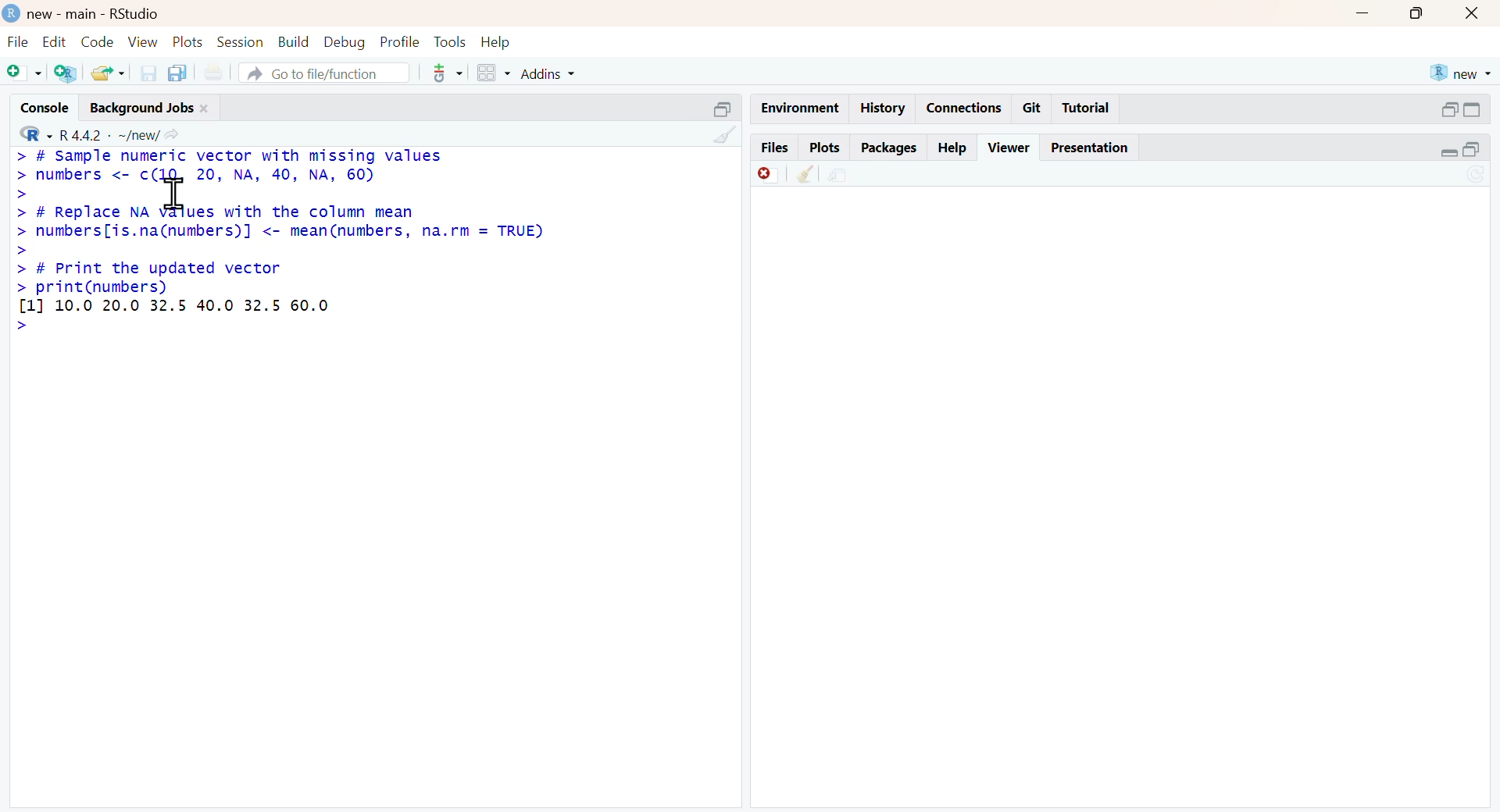 This screenshot has width=1500, height=812. What do you see at coordinates (96, 15) in the screenshot?
I see `new - main - RStudio` at bounding box center [96, 15].